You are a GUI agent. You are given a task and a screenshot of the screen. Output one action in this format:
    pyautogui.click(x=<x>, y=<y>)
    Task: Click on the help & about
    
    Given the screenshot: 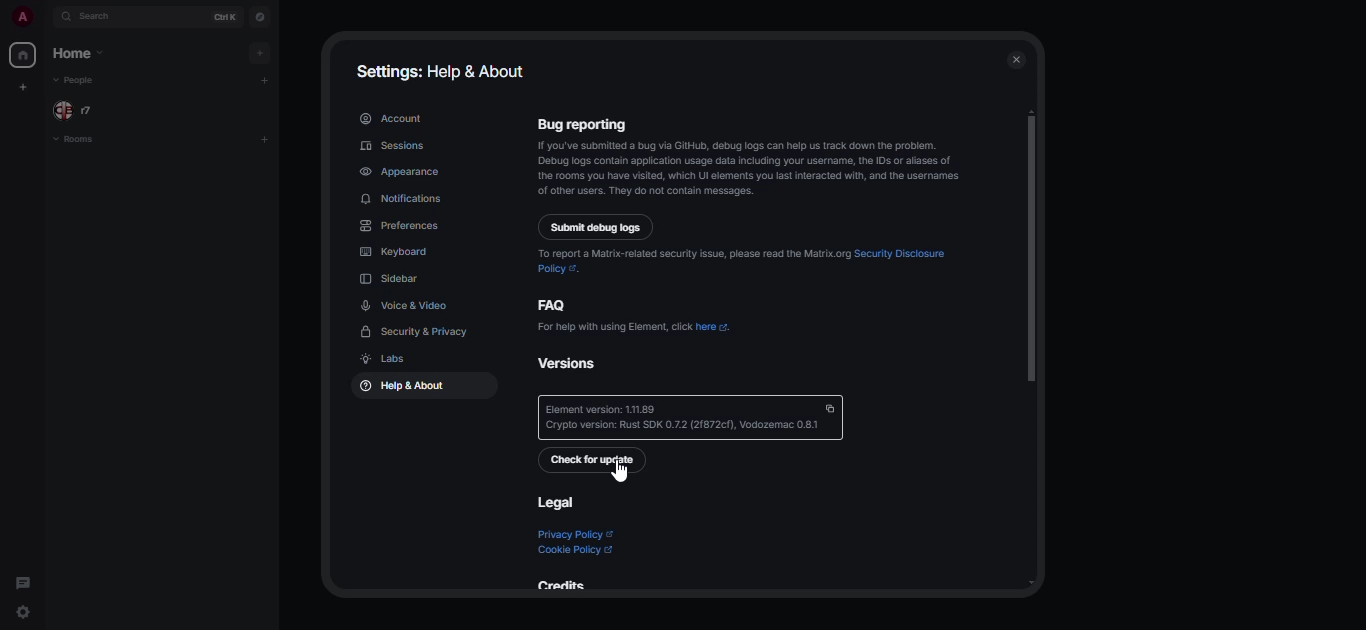 What is the action you would take?
    pyautogui.click(x=409, y=385)
    